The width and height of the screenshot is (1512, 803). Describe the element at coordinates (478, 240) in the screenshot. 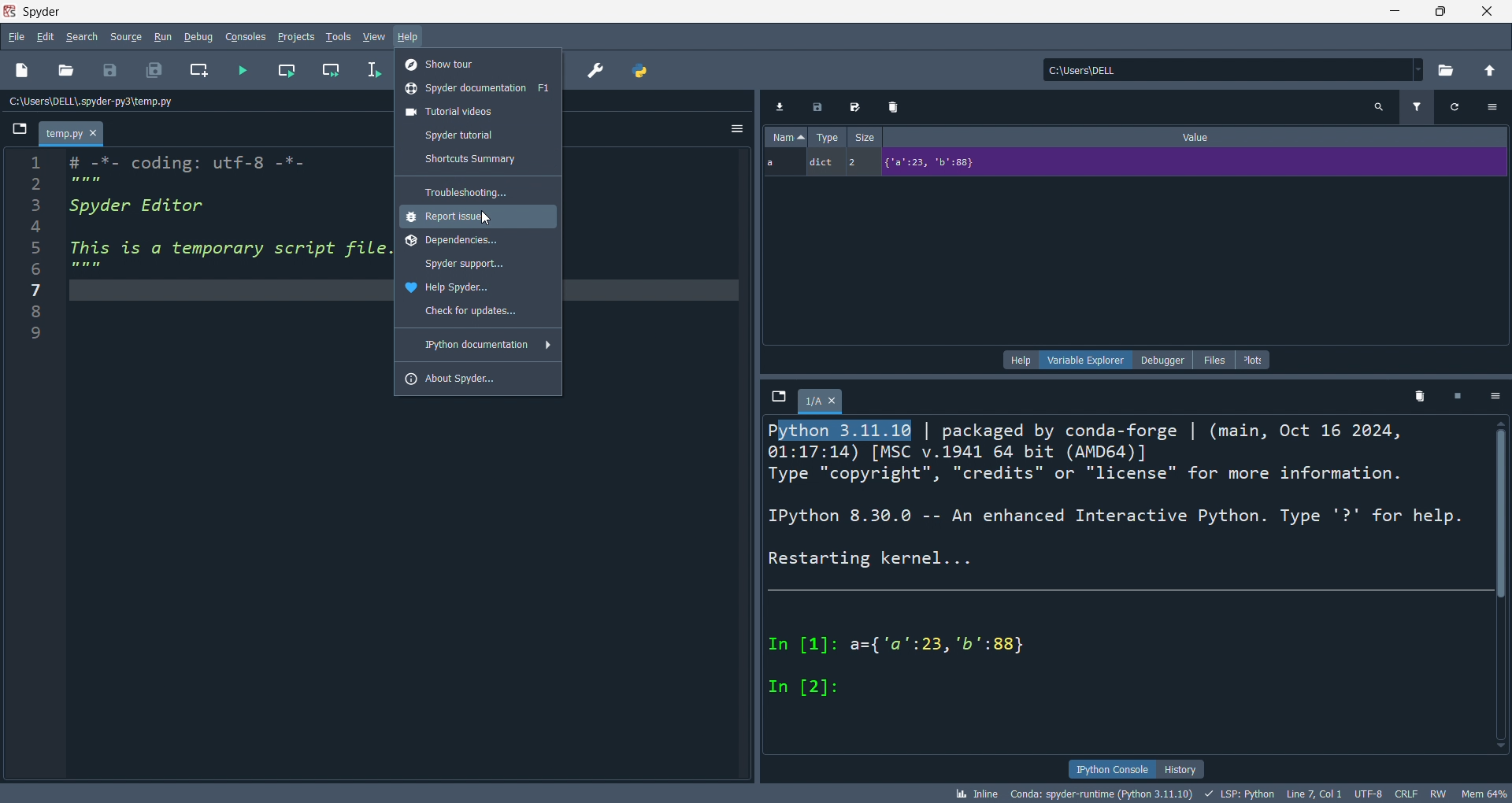

I see `dependencies` at that location.